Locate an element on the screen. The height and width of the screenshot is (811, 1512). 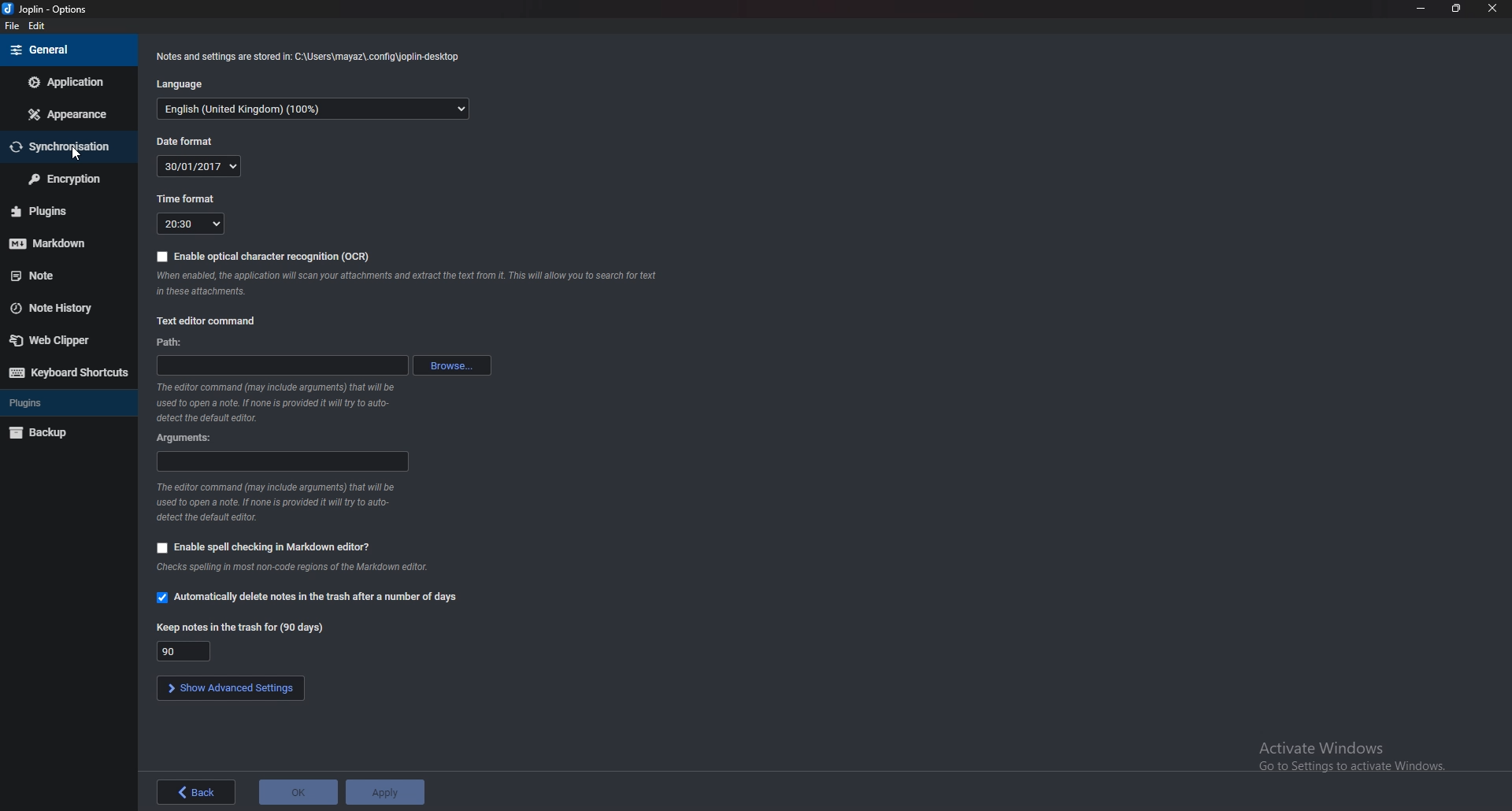
markdown is located at coordinates (57, 245).